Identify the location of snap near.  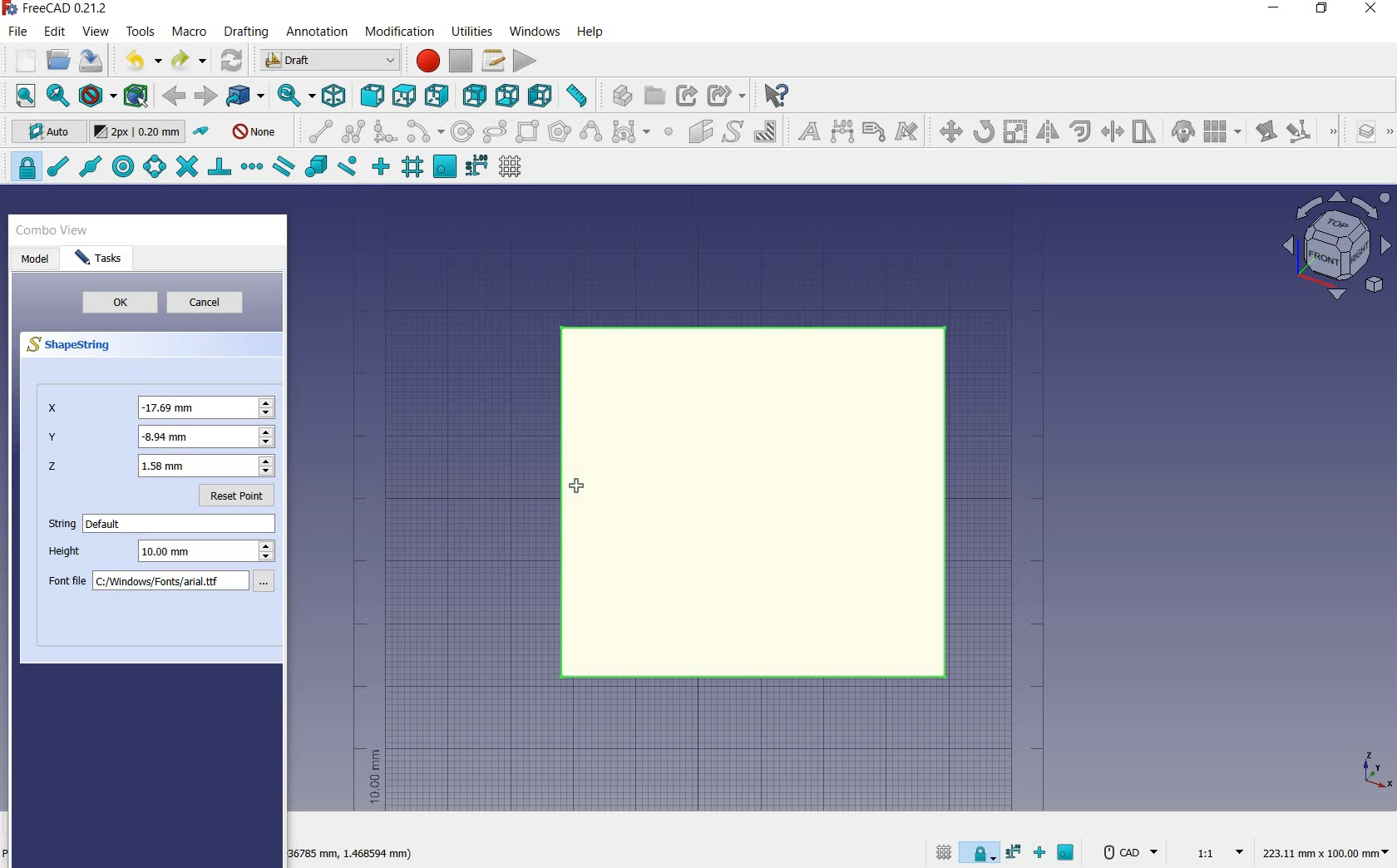
(345, 168).